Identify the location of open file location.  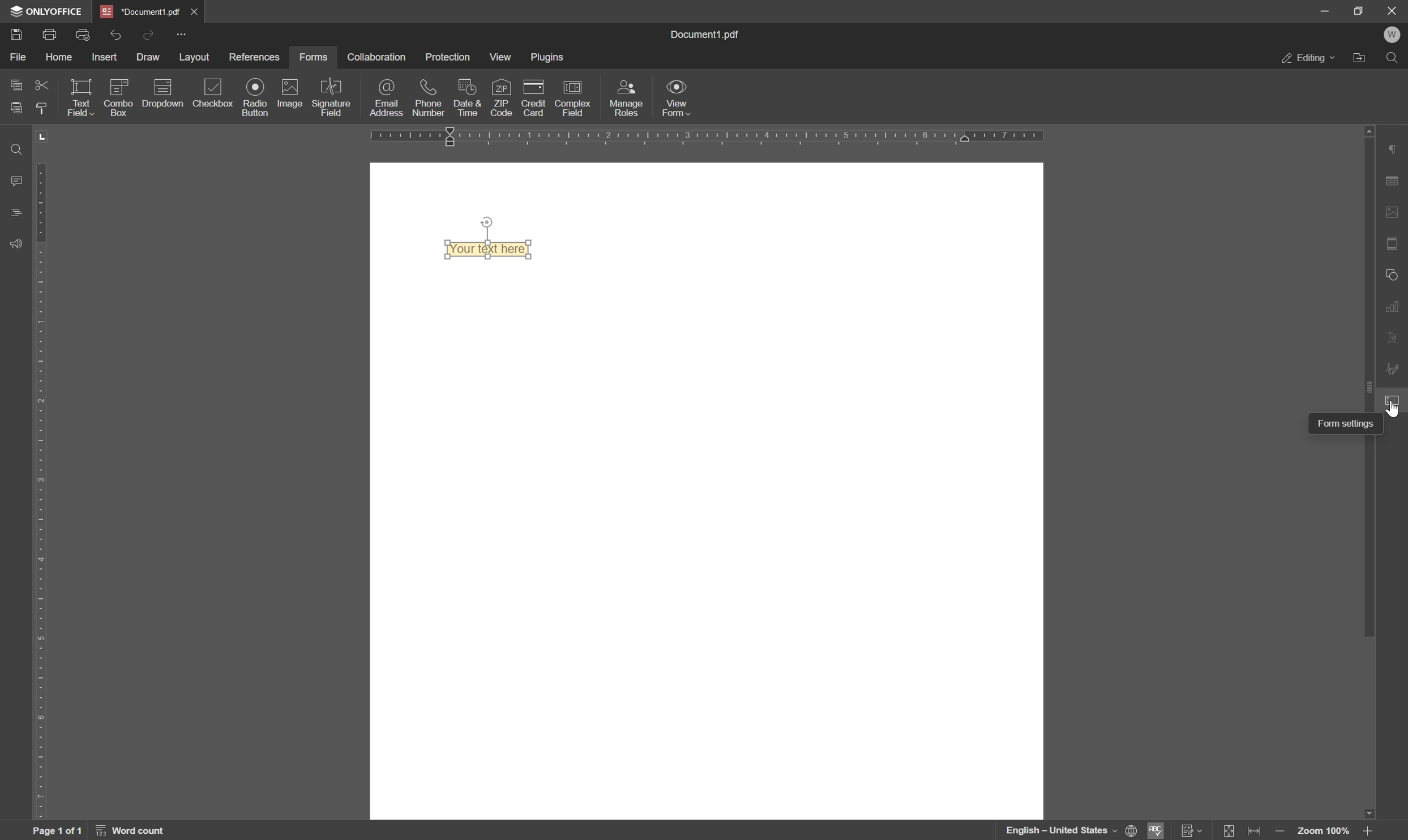
(1359, 58).